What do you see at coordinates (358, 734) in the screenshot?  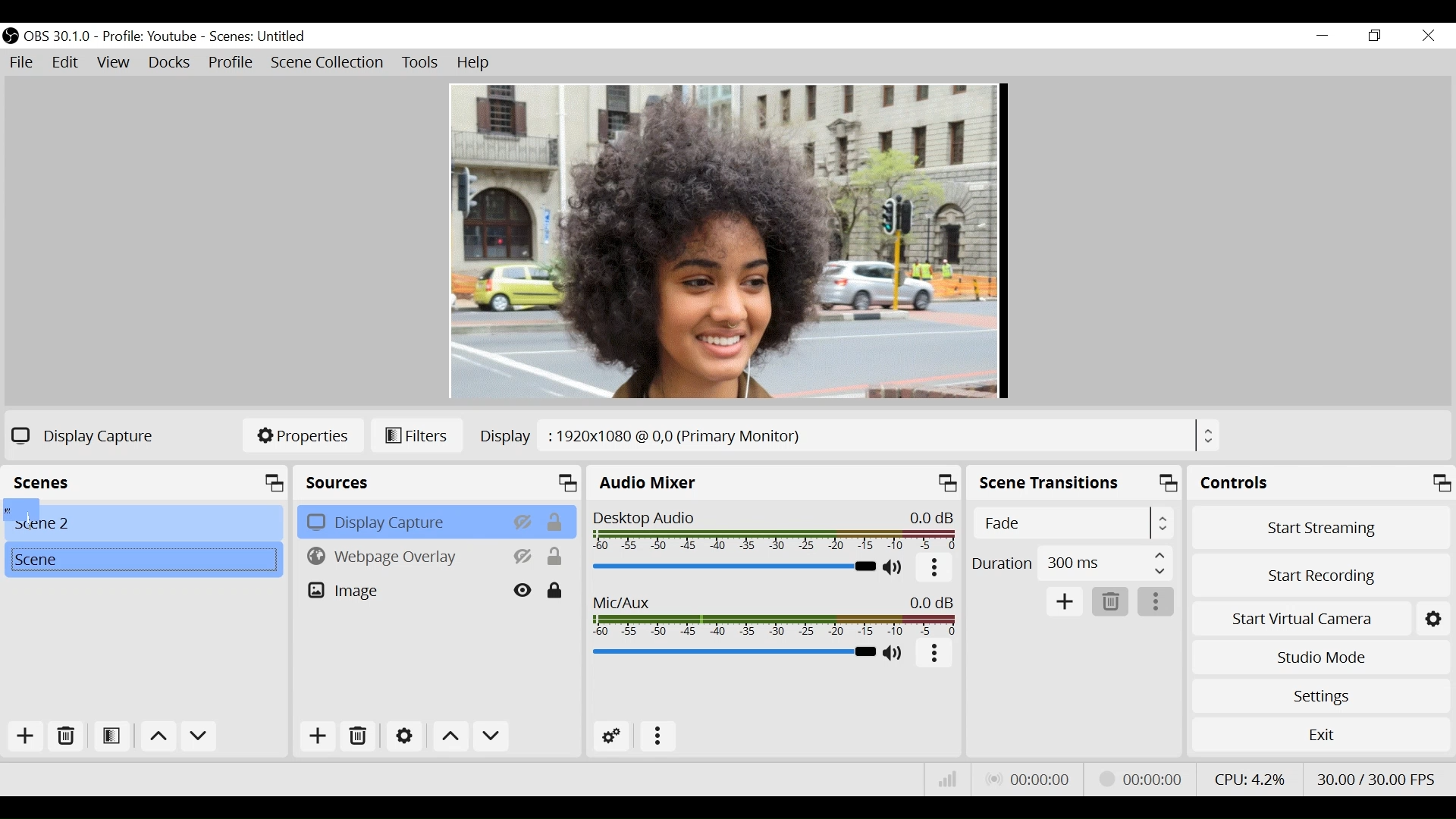 I see `Delete` at bounding box center [358, 734].